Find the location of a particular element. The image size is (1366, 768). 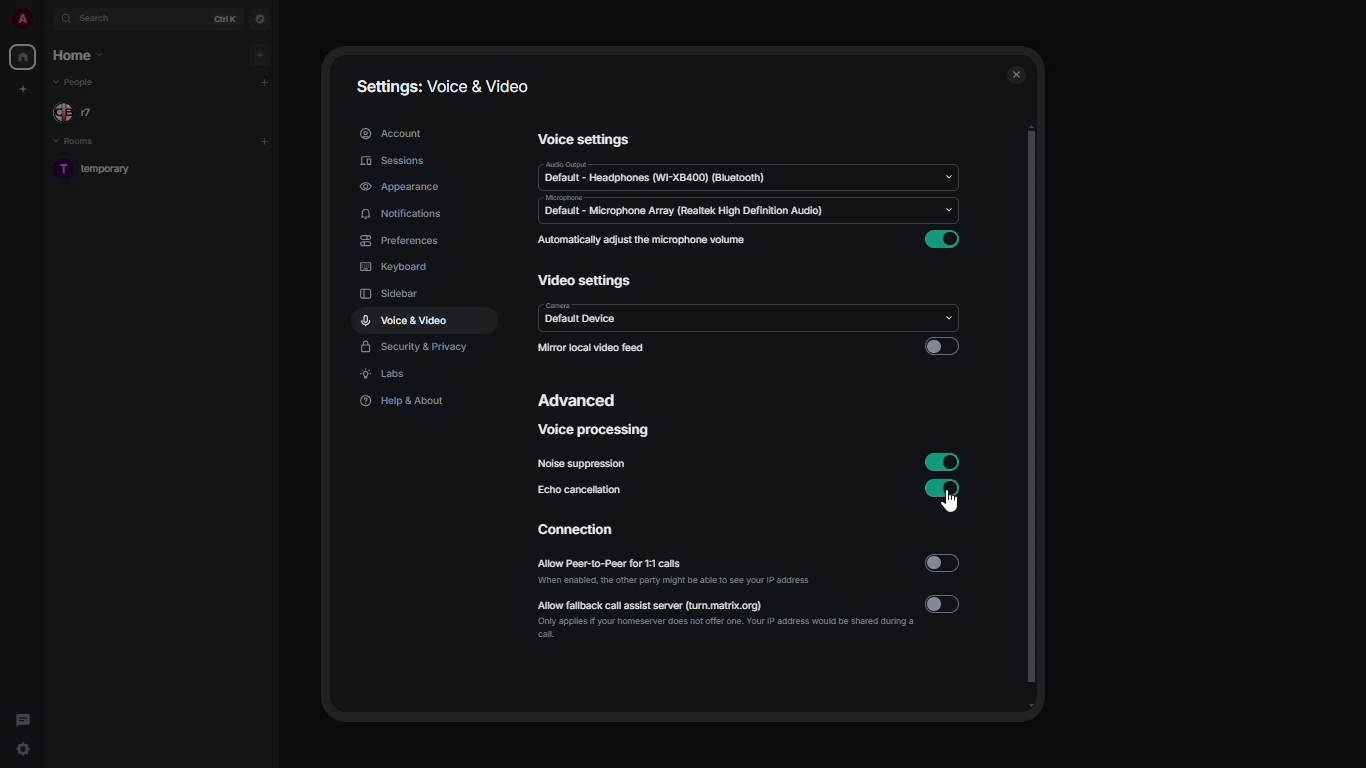

search is located at coordinates (103, 18).